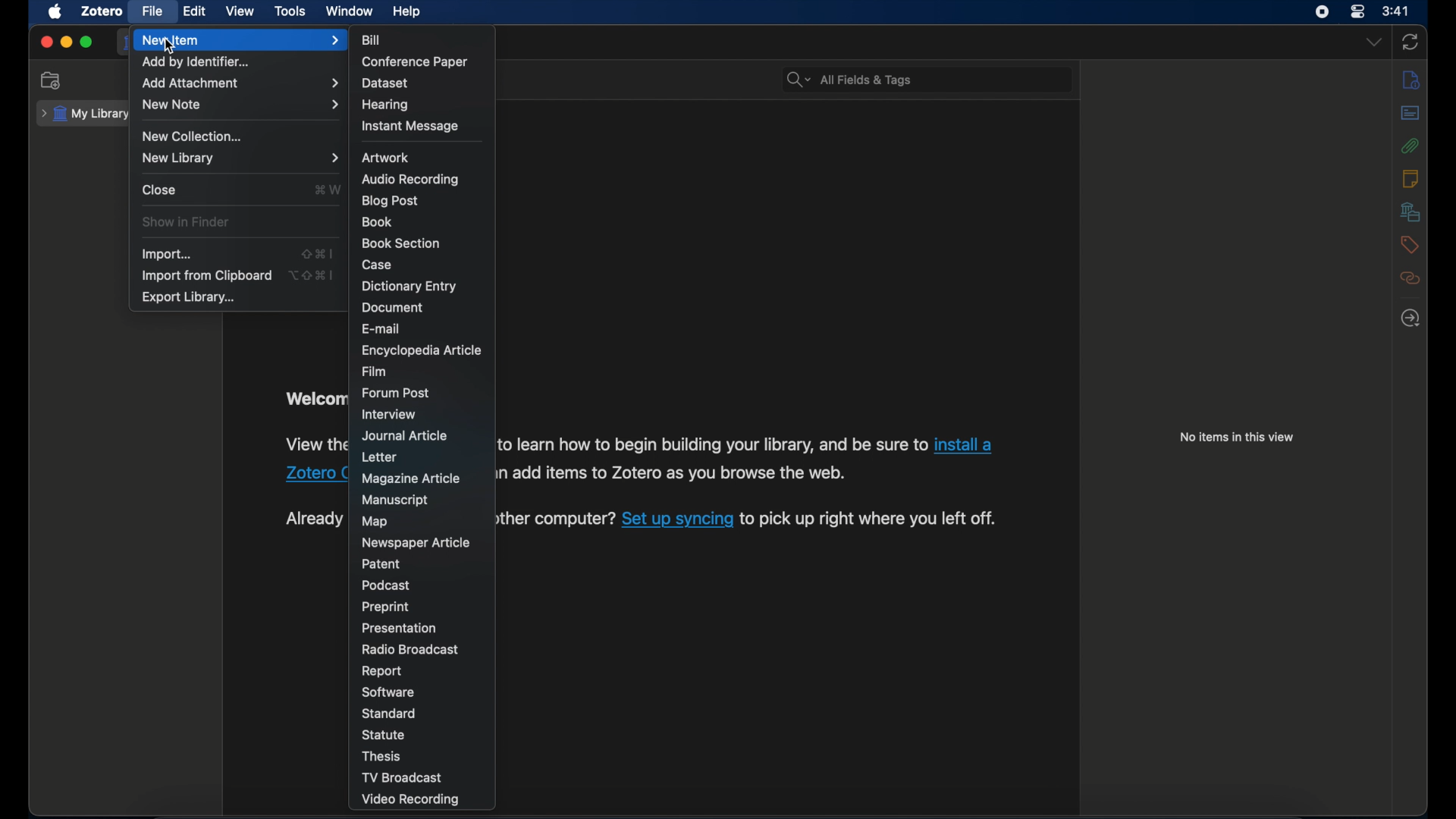 The image size is (1456, 819). I want to click on podcast, so click(387, 585).